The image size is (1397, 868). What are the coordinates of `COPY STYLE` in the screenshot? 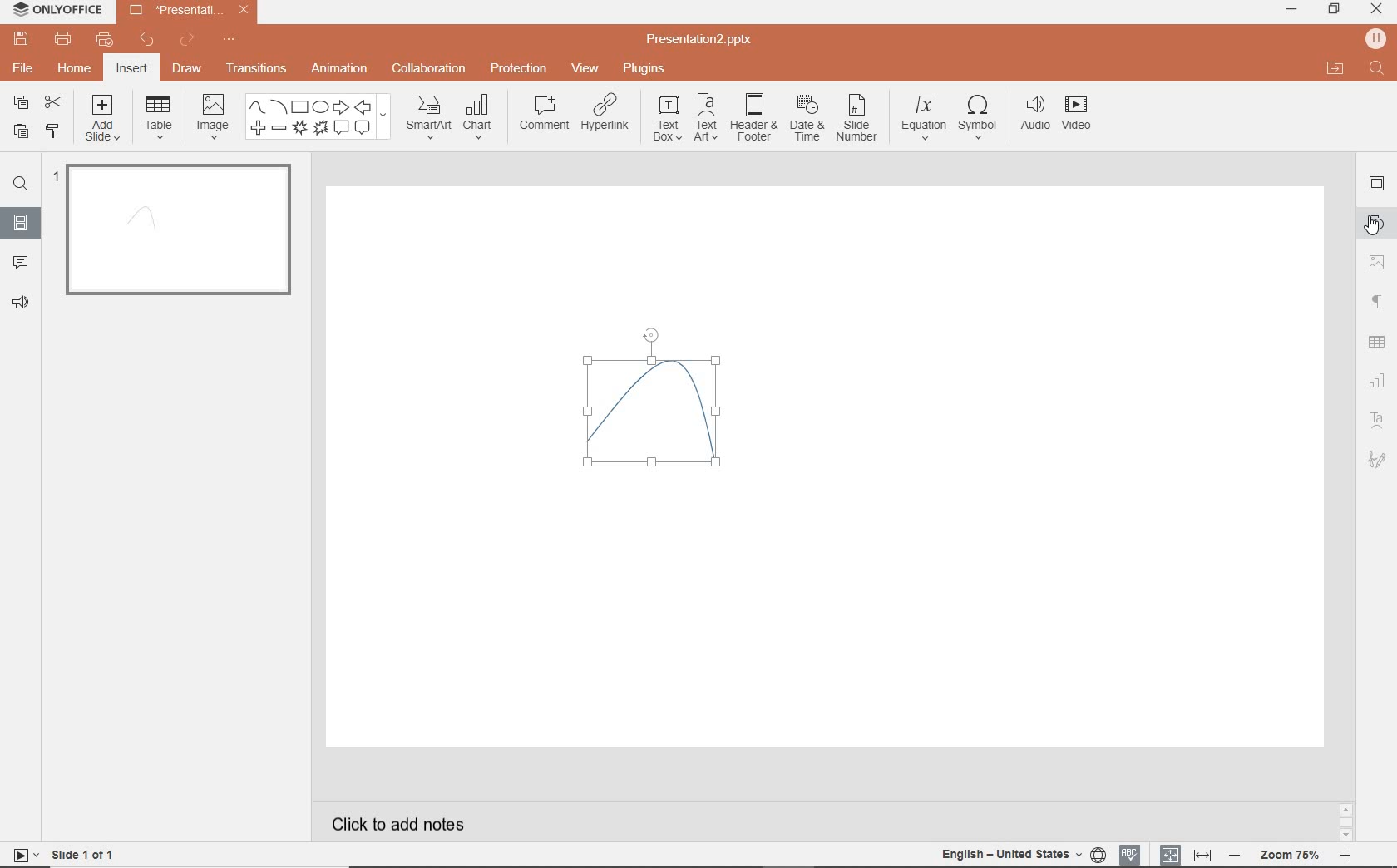 It's located at (52, 131).